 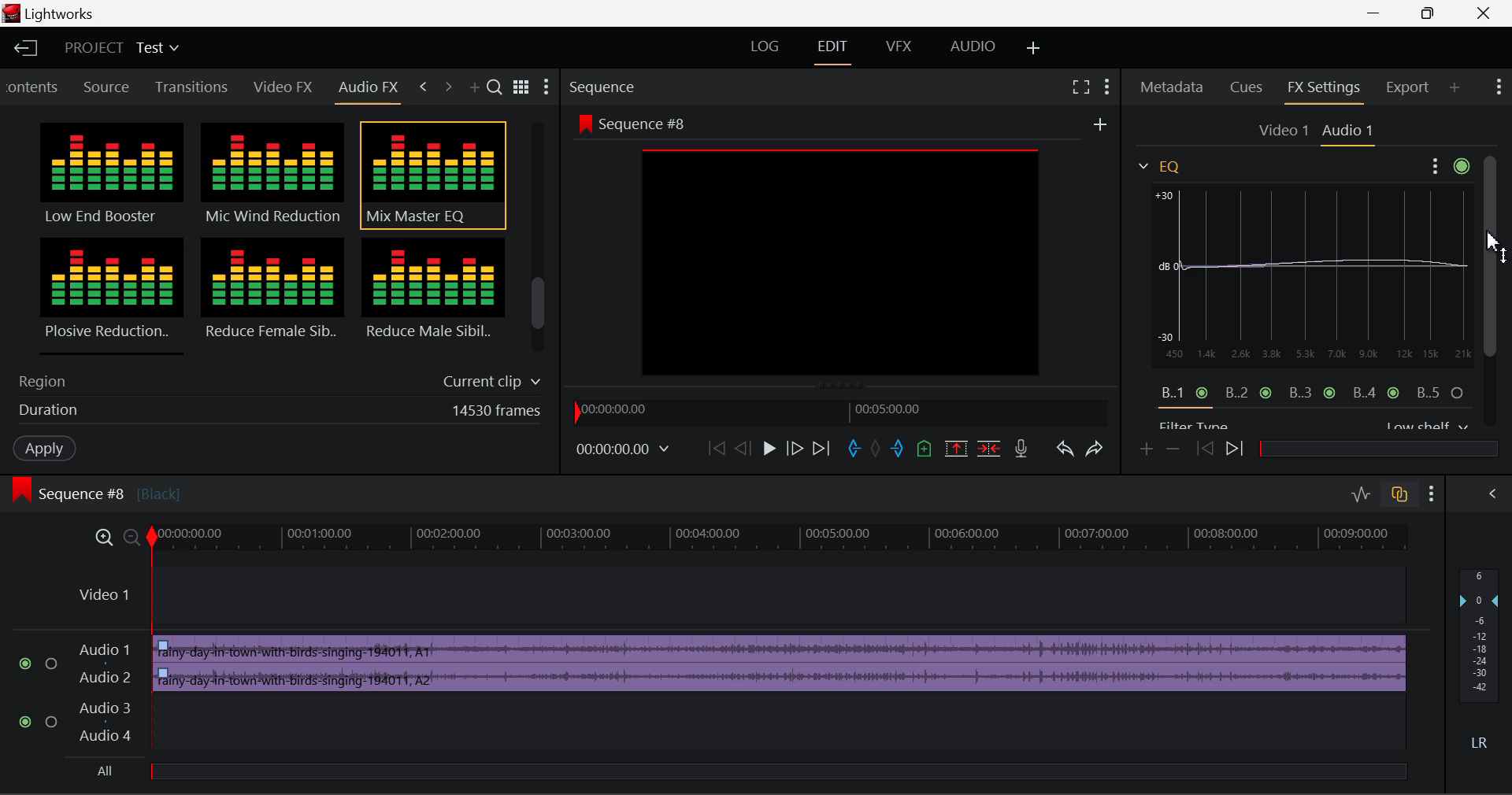 I want to click on Search, so click(x=497, y=88).